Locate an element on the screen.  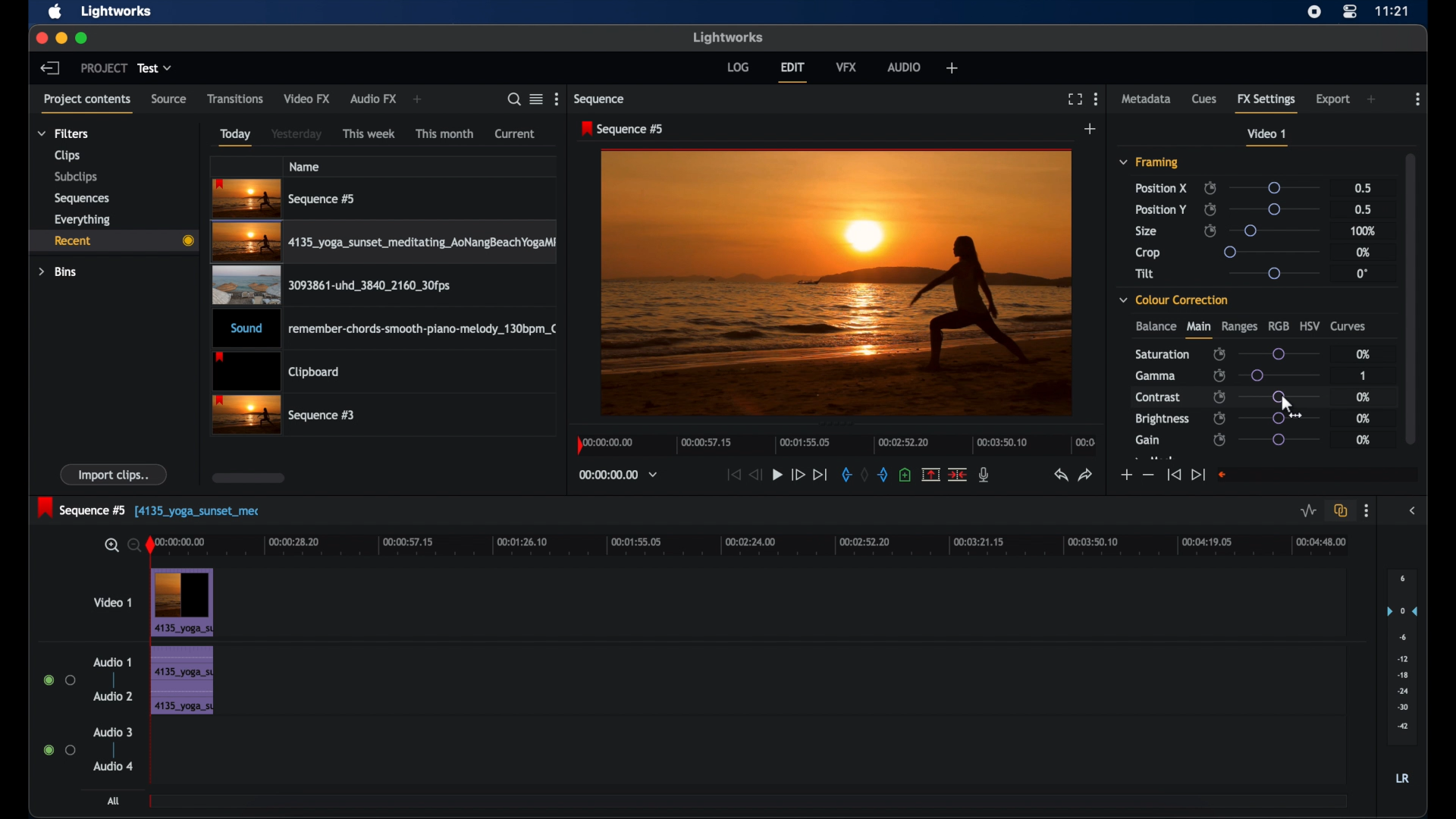
redo is located at coordinates (1087, 475).